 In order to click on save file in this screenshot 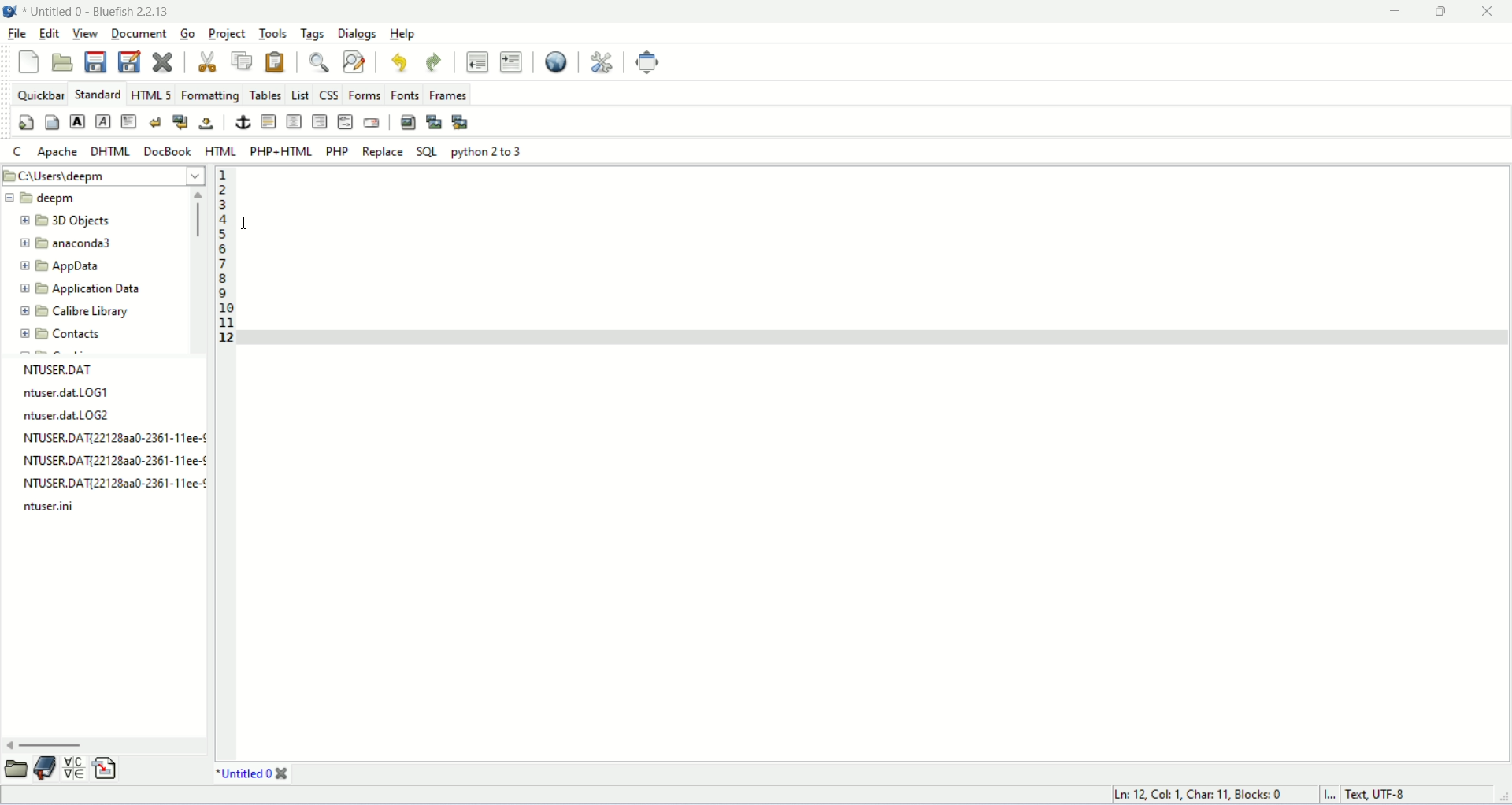, I will do `click(96, 63)`.